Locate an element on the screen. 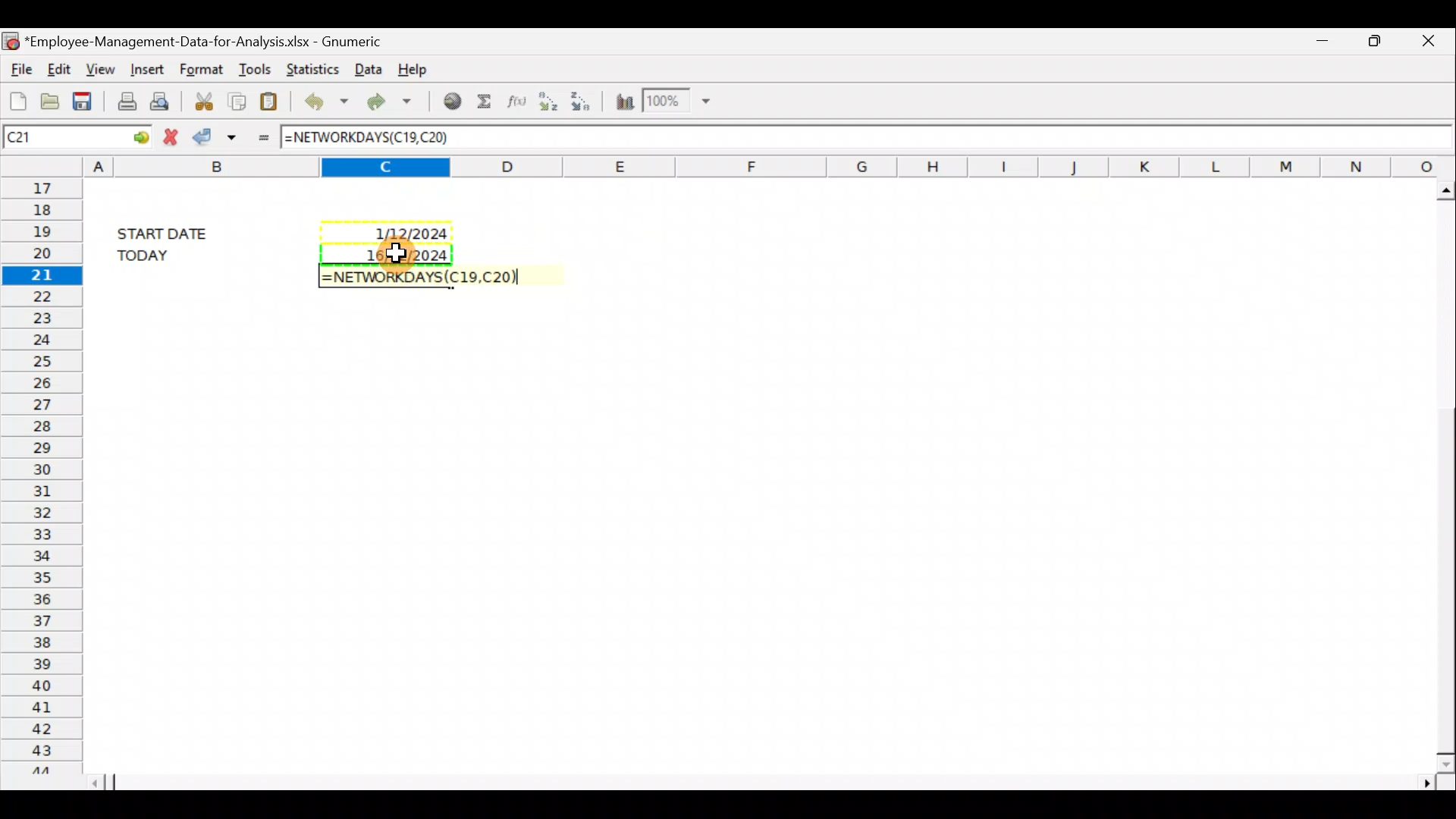 The height and width of the screenshot is (819, 1456). Print current file is located at coordinates (124, 100).